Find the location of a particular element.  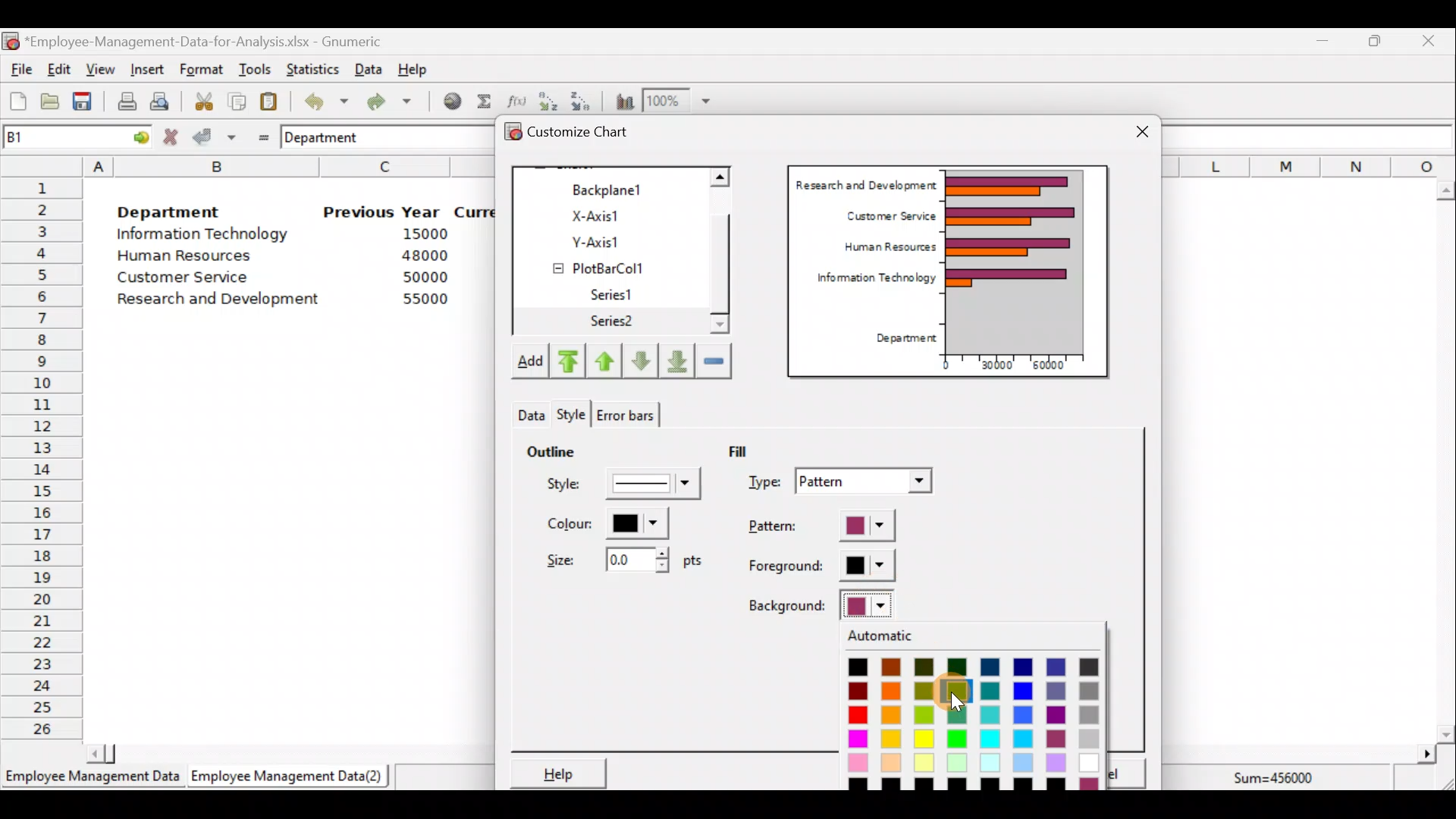

Series2 is located at coordinates (615, 322).